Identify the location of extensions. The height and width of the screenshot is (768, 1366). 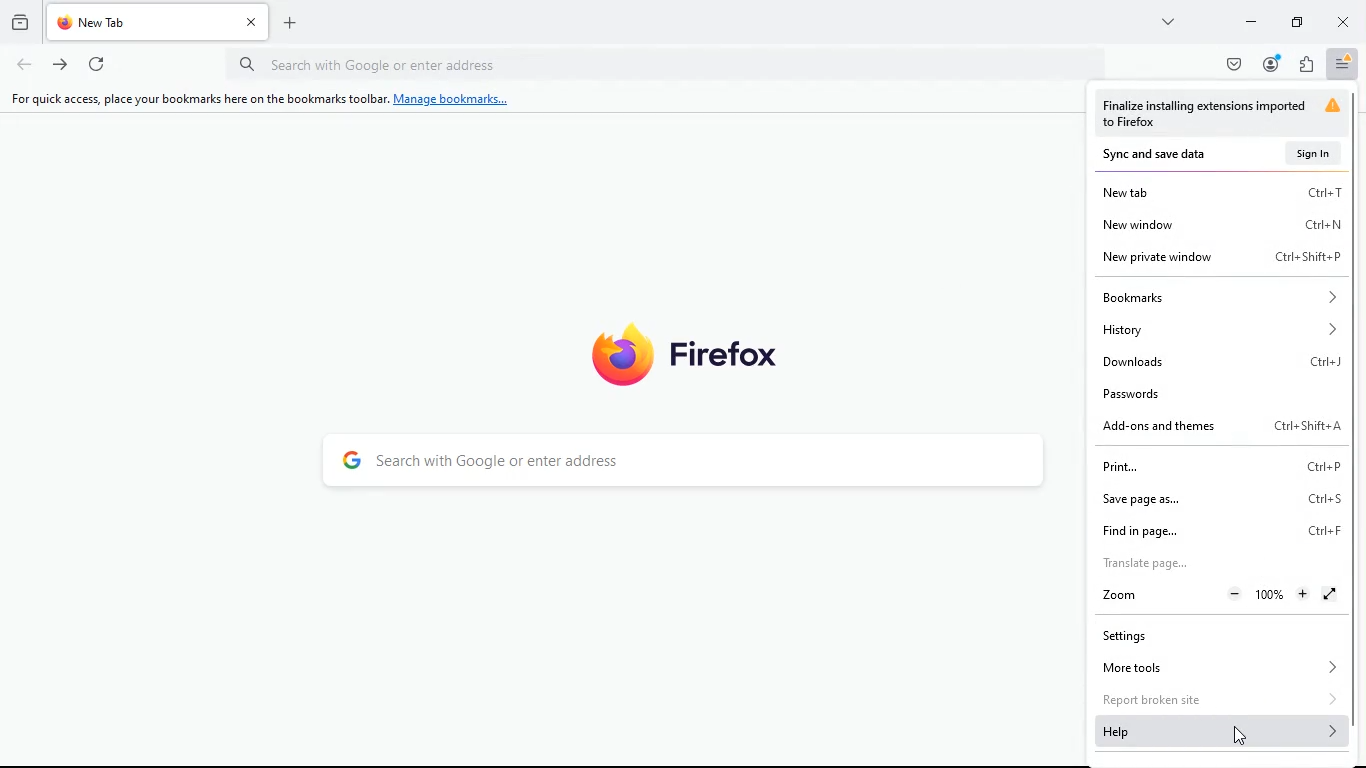
(1310, 66).